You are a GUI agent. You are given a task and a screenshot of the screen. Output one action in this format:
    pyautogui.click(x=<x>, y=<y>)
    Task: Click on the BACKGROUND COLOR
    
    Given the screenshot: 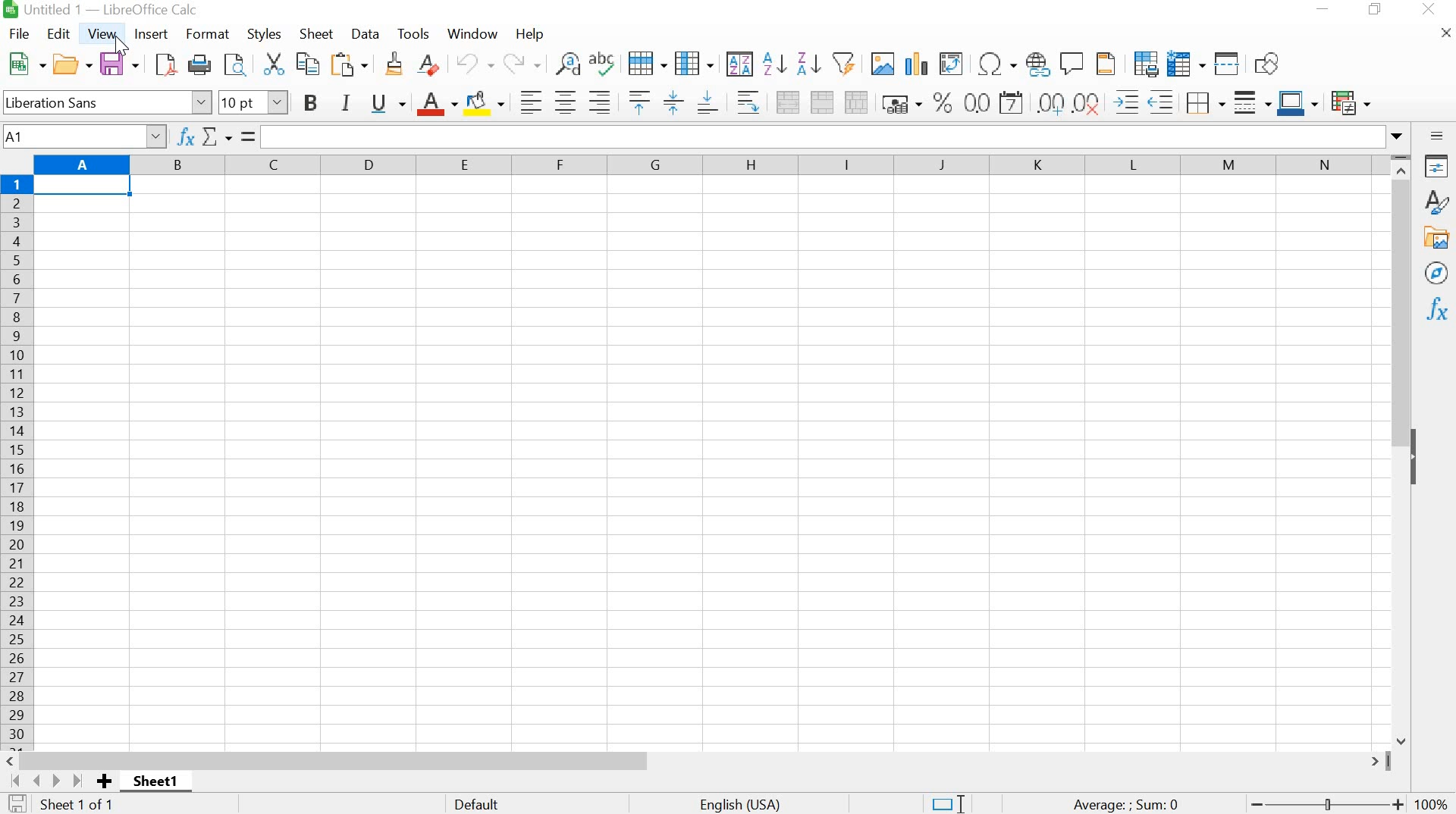 What is the action you would take?
    pyautogui.click(x=486, y=102)
    